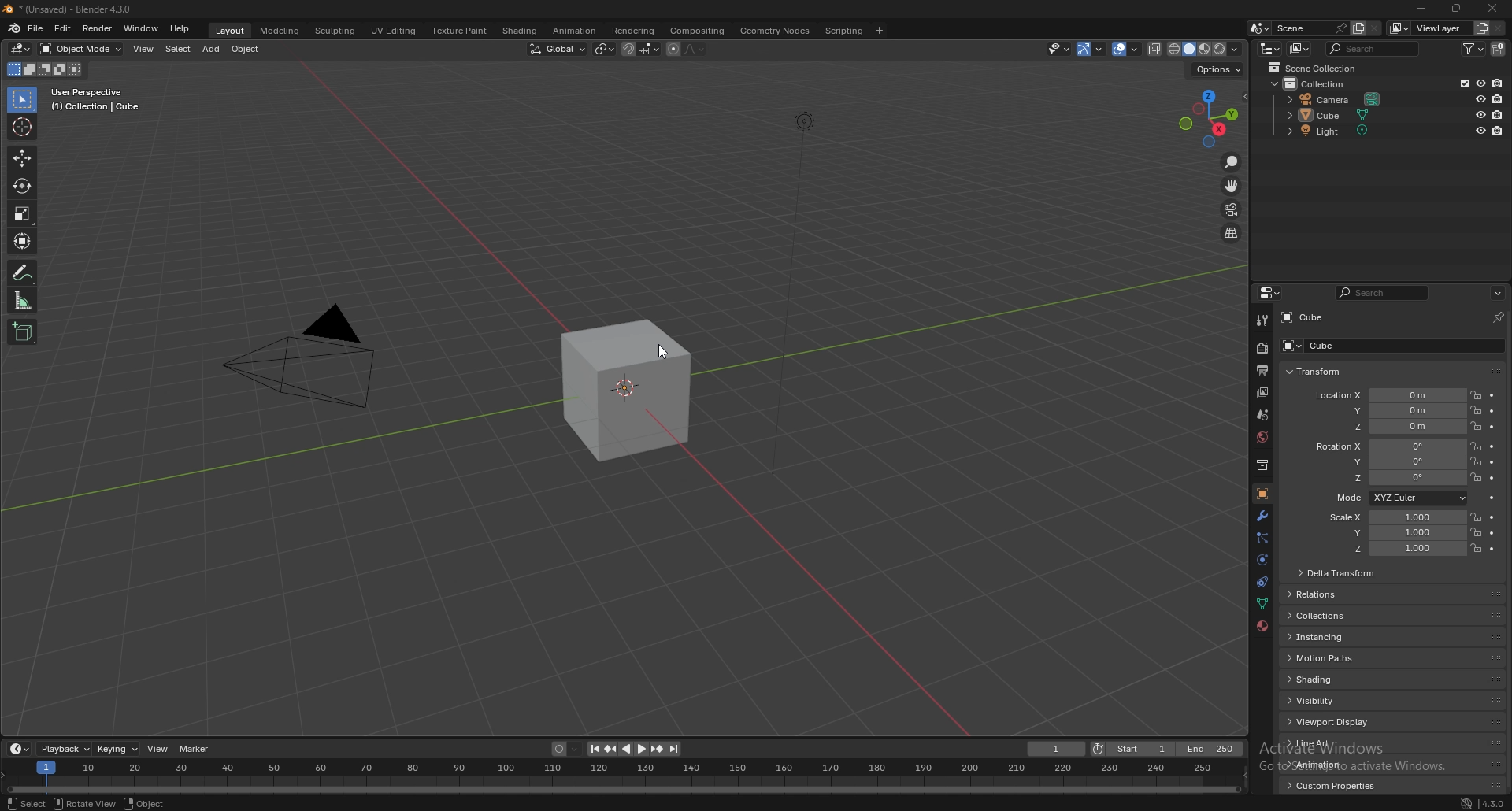 Image resolution: width=1512 pixels, height=811 pixels. Describe the element at coordinates (1262, 561) in the screenshot. I see `physics` at that location.